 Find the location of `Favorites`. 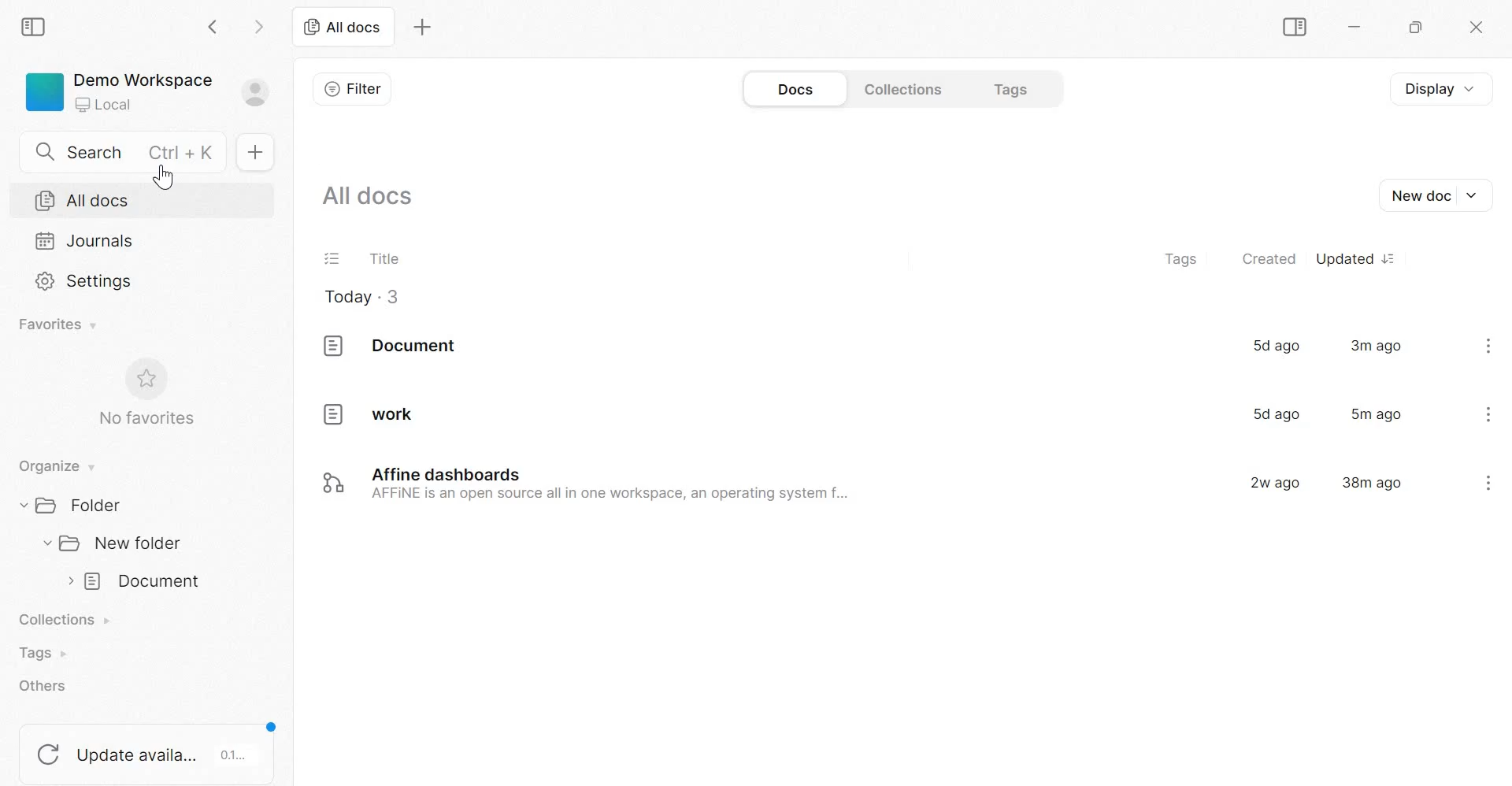

Favorites is located at coordinates (59, 324).